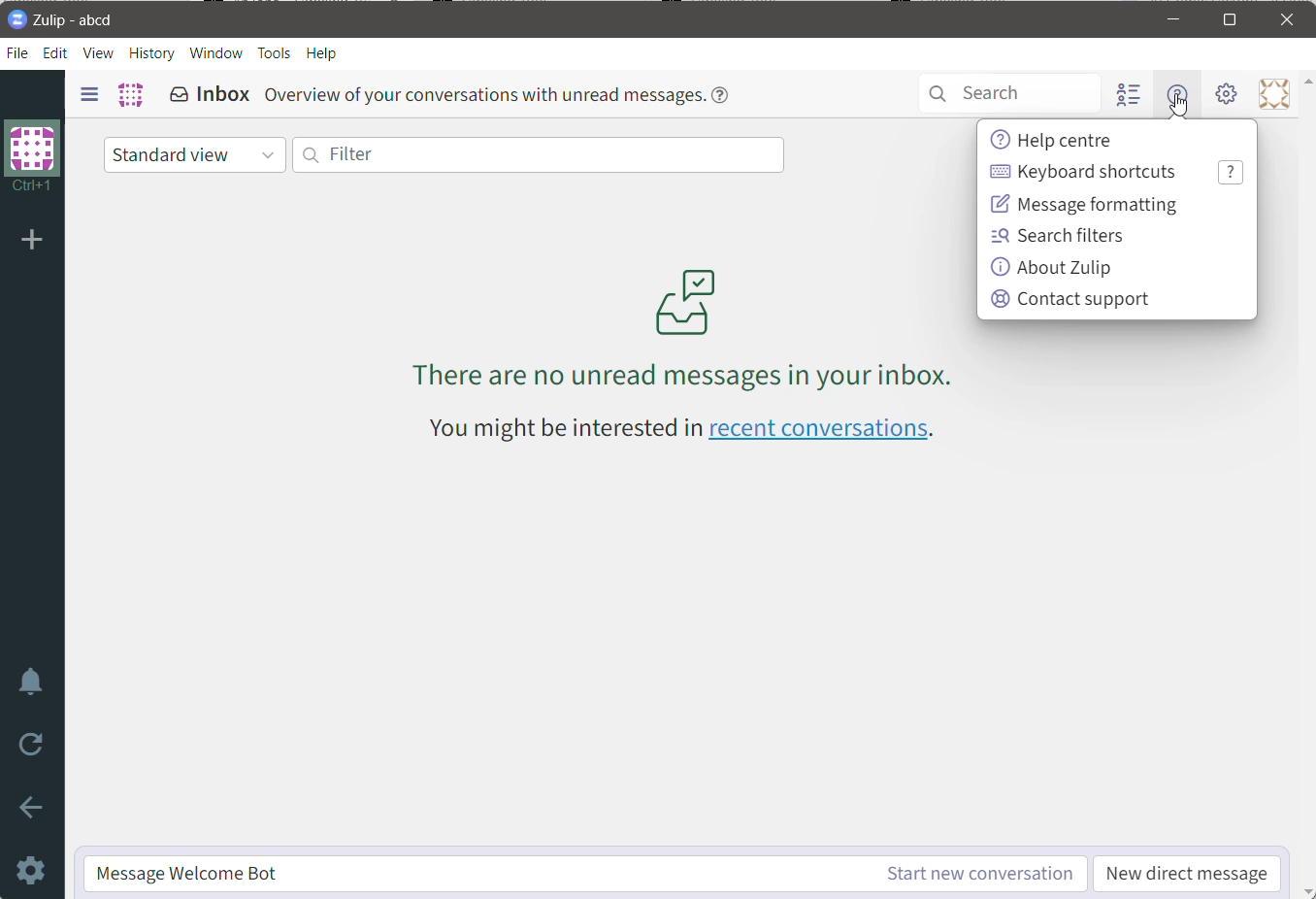  Describe the element at coordinates (475, 874) in the screenshot. I see `Message Welcome Bot` at that location.